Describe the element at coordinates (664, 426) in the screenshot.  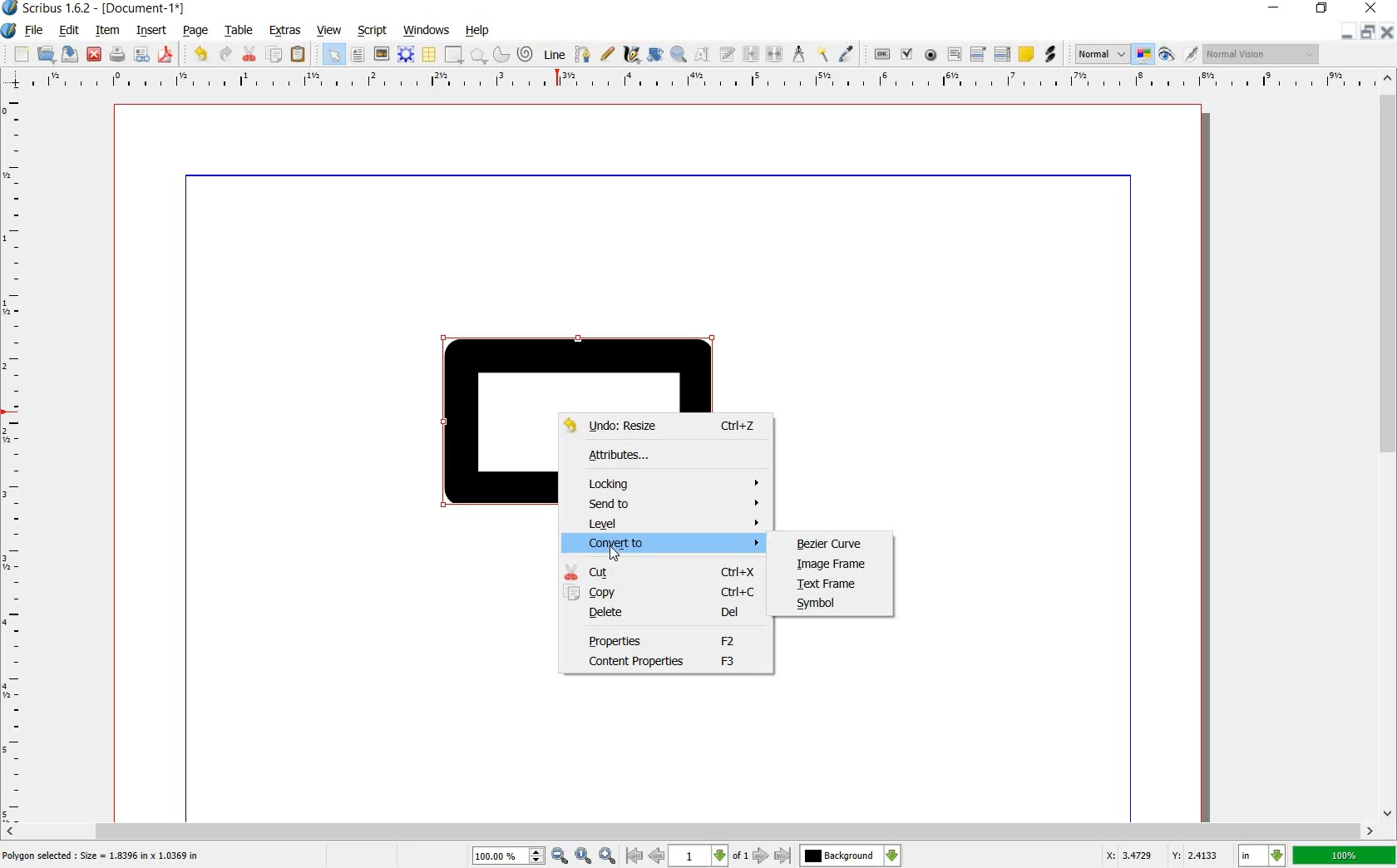
I see `UNDO: Resize Ctrl+Z` at that location.